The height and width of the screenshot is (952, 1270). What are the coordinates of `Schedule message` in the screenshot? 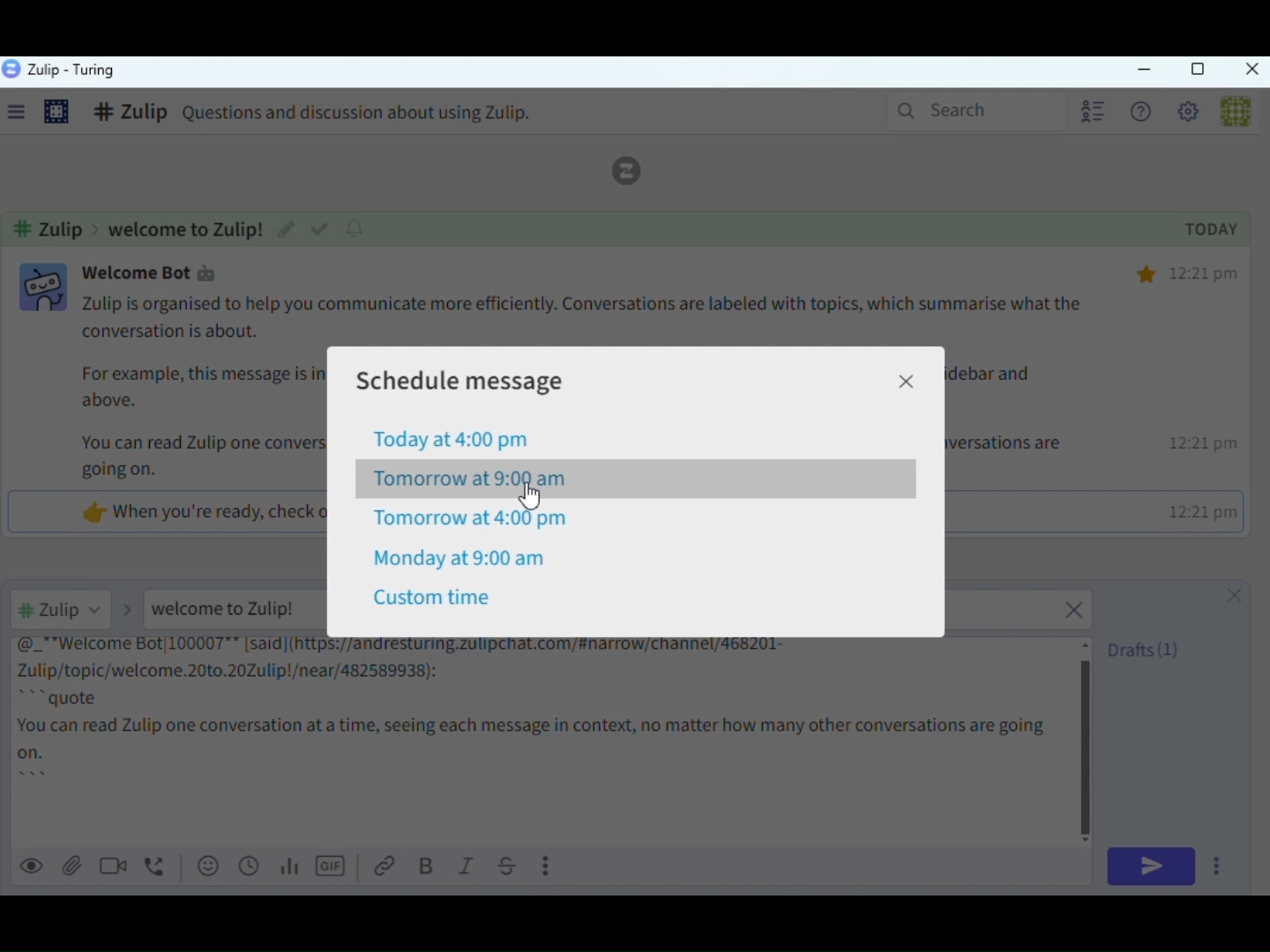 It's located at (480, 379).